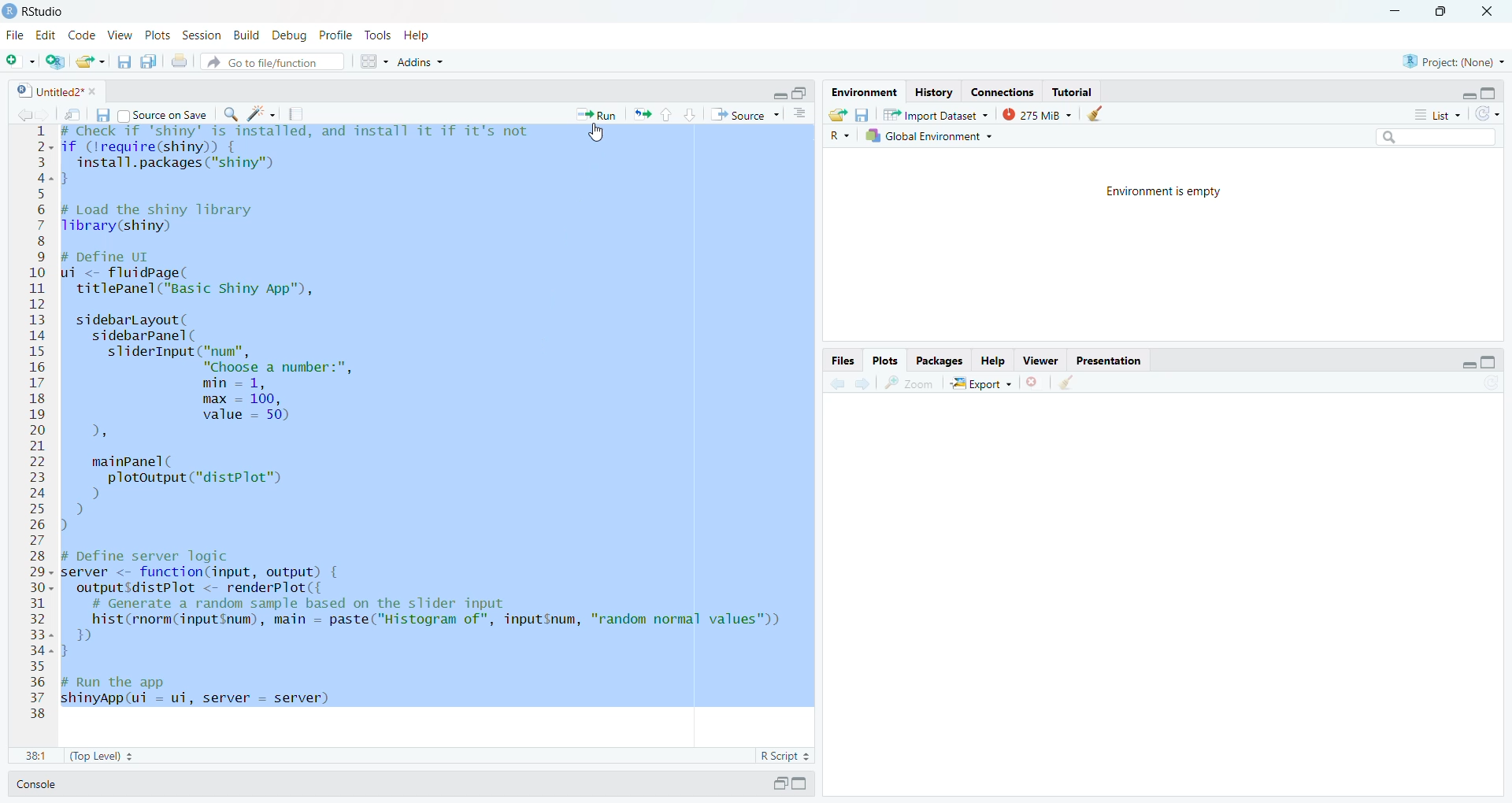  Describe the element at coordinates (246, 35) in the screenshot. I see `Build` at that location.